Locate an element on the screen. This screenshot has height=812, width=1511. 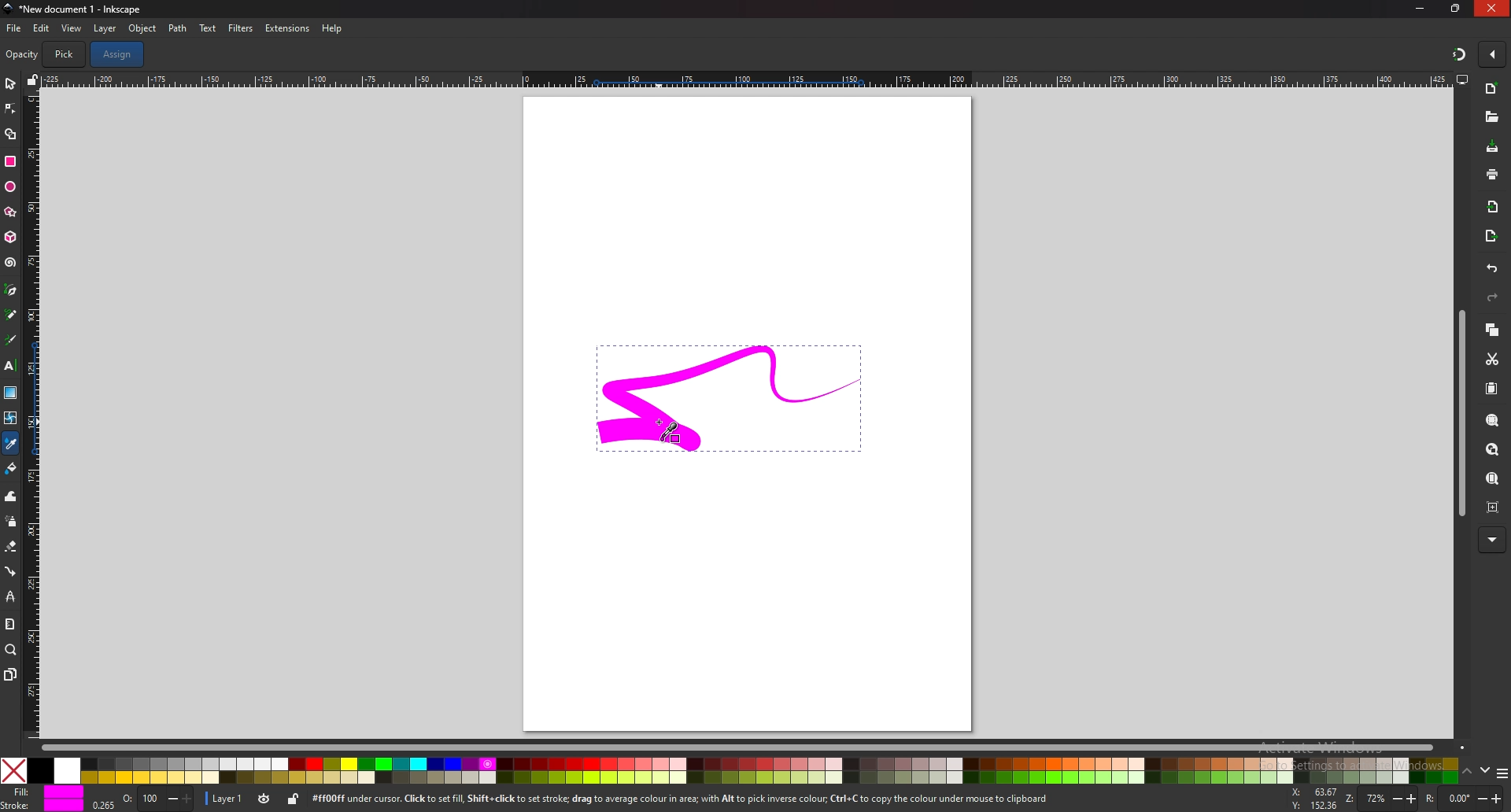
0.265 is located at coordinates (104, 803).